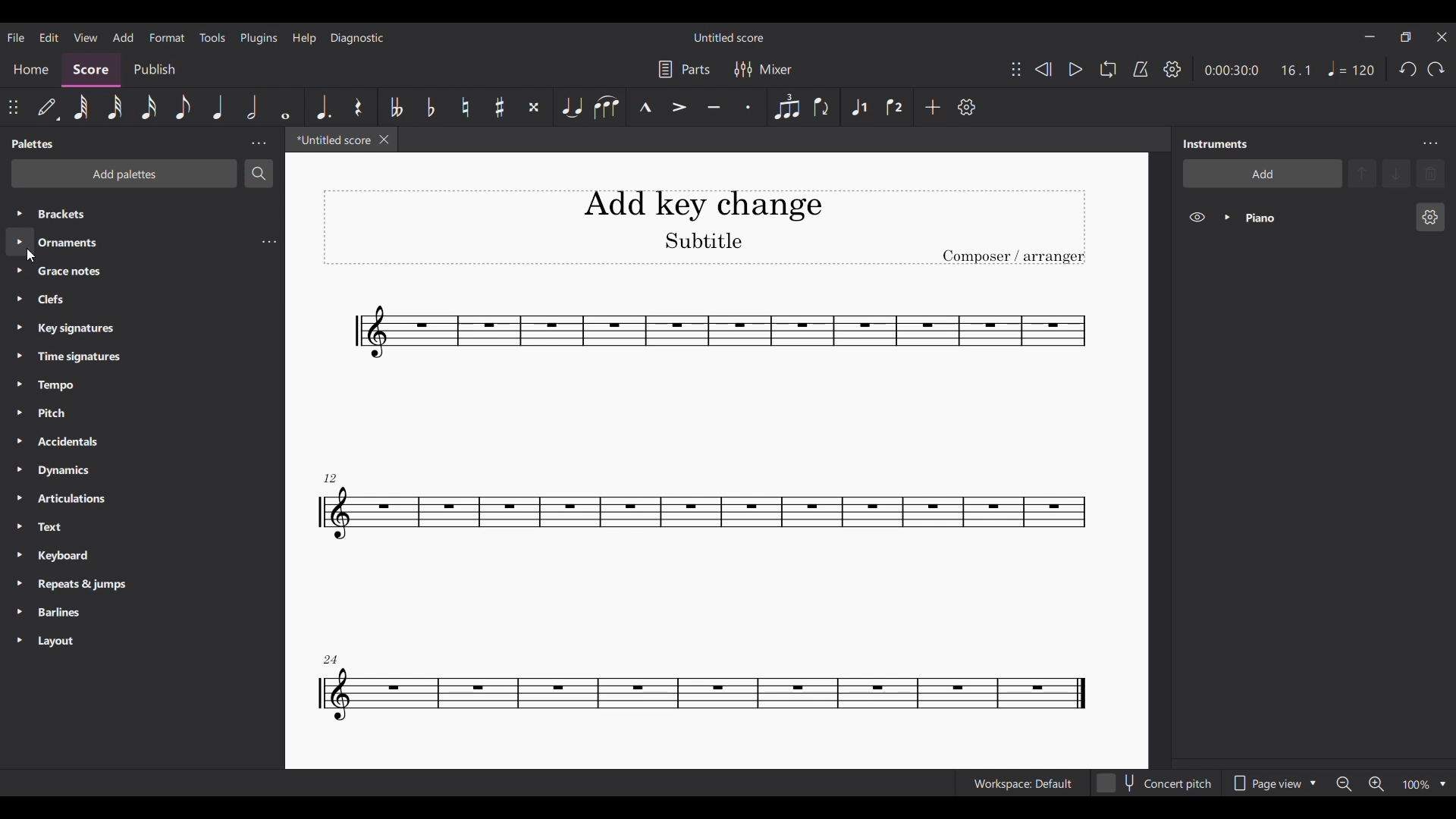 This screenshot has width=1456, height=819. Describe the element at coordinates (858, 106) in the screenshot. I see `Voice 1` at that location.